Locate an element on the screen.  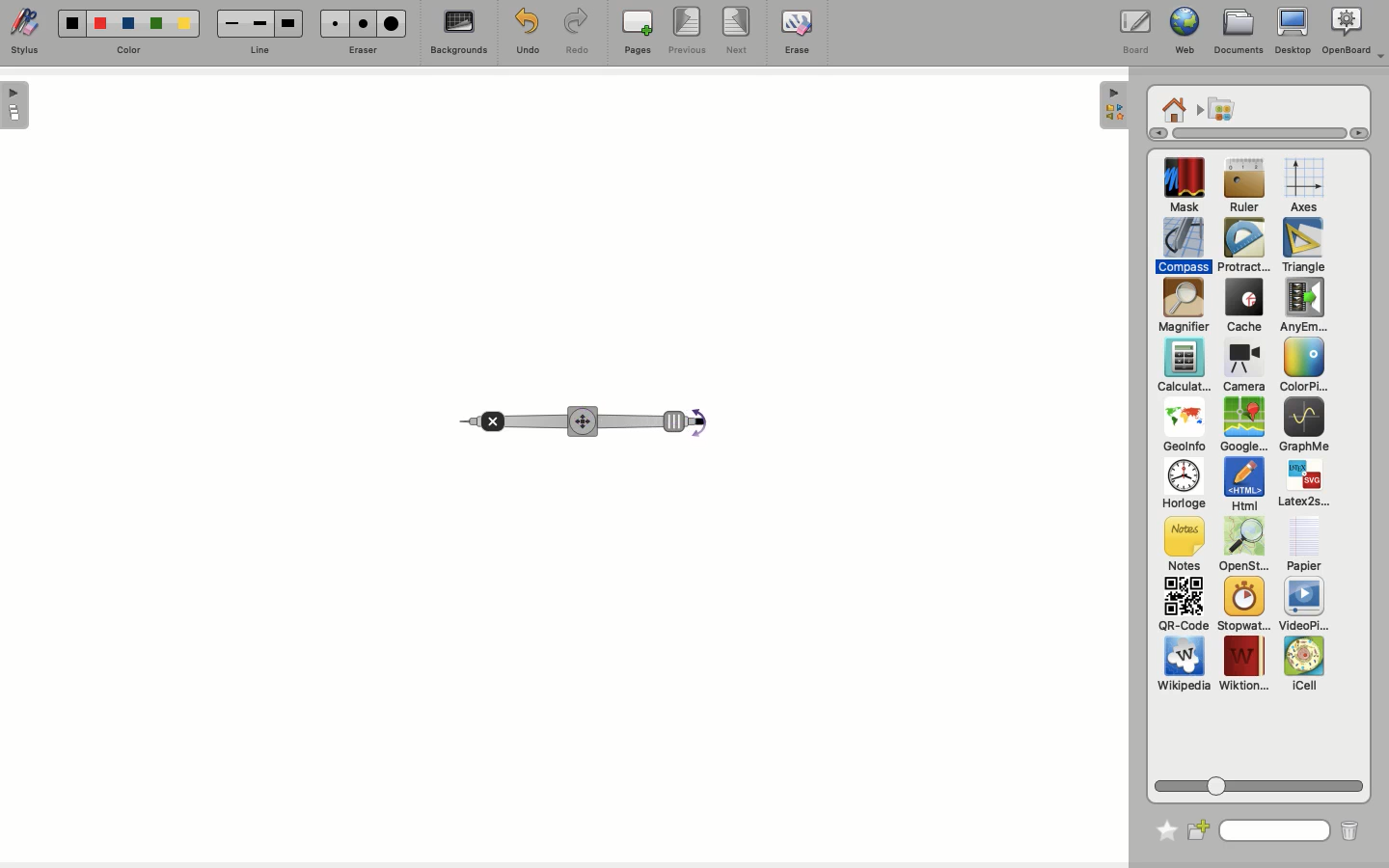
Eraser is located at coordinates (364, 49).